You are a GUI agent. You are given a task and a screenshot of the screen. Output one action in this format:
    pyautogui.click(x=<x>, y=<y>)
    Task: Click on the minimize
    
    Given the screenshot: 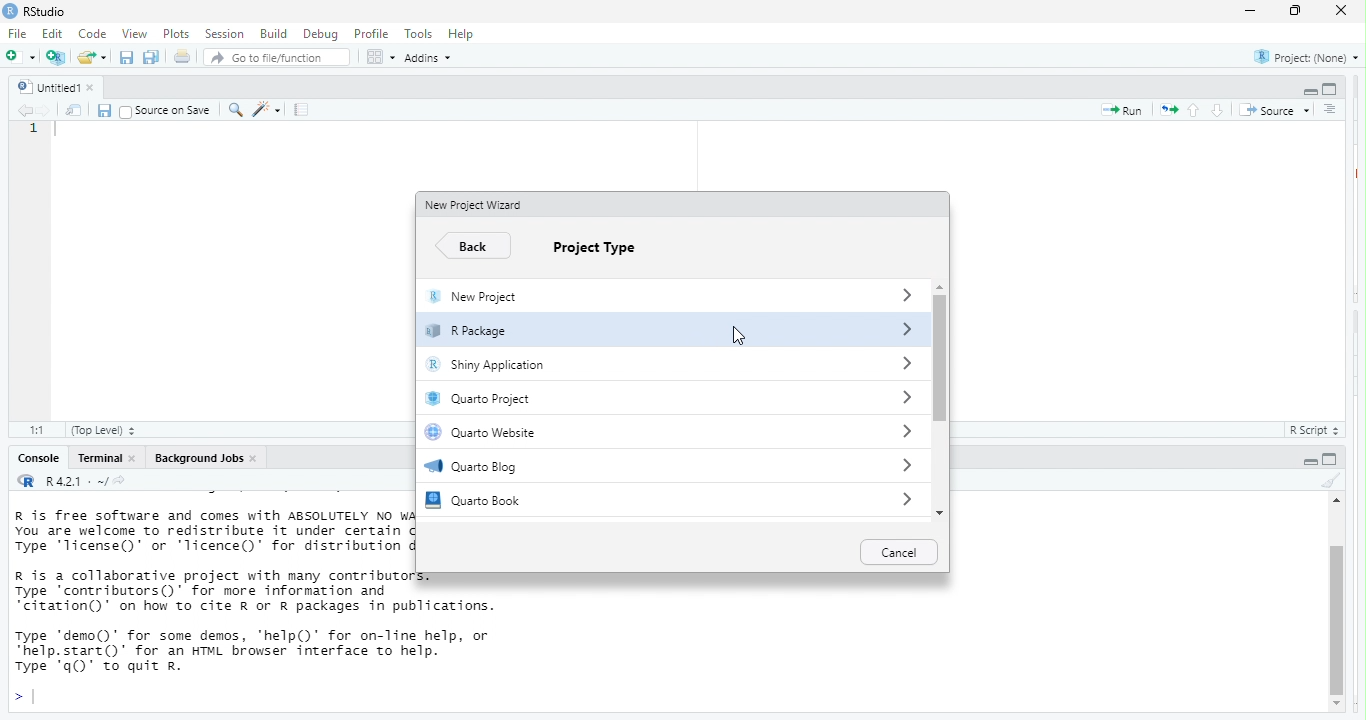 What is the action you would take?
    pyautogui.click(x=1250, y=11)
    